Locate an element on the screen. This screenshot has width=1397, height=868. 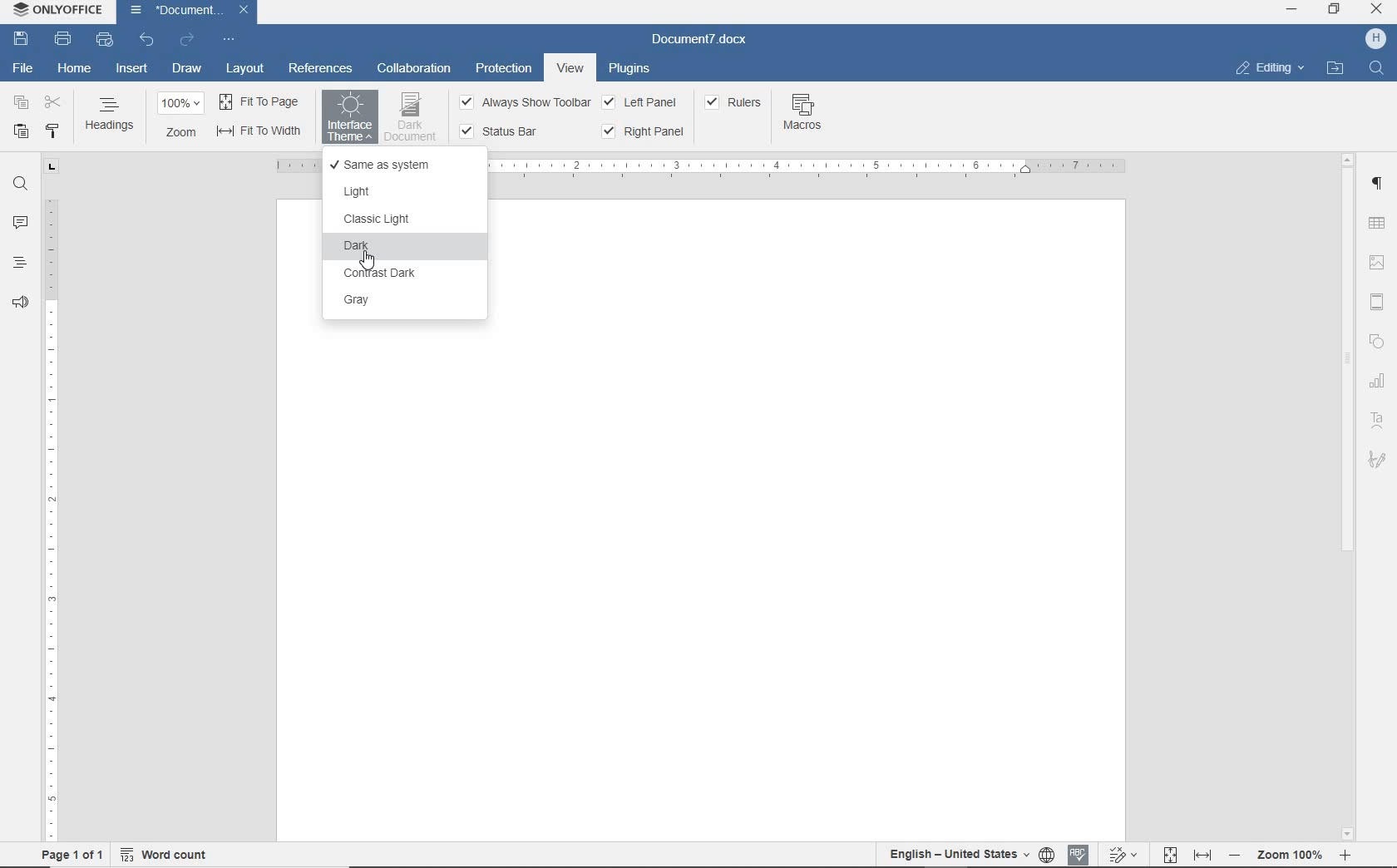
PRINT is located at coordinates (62, 37).